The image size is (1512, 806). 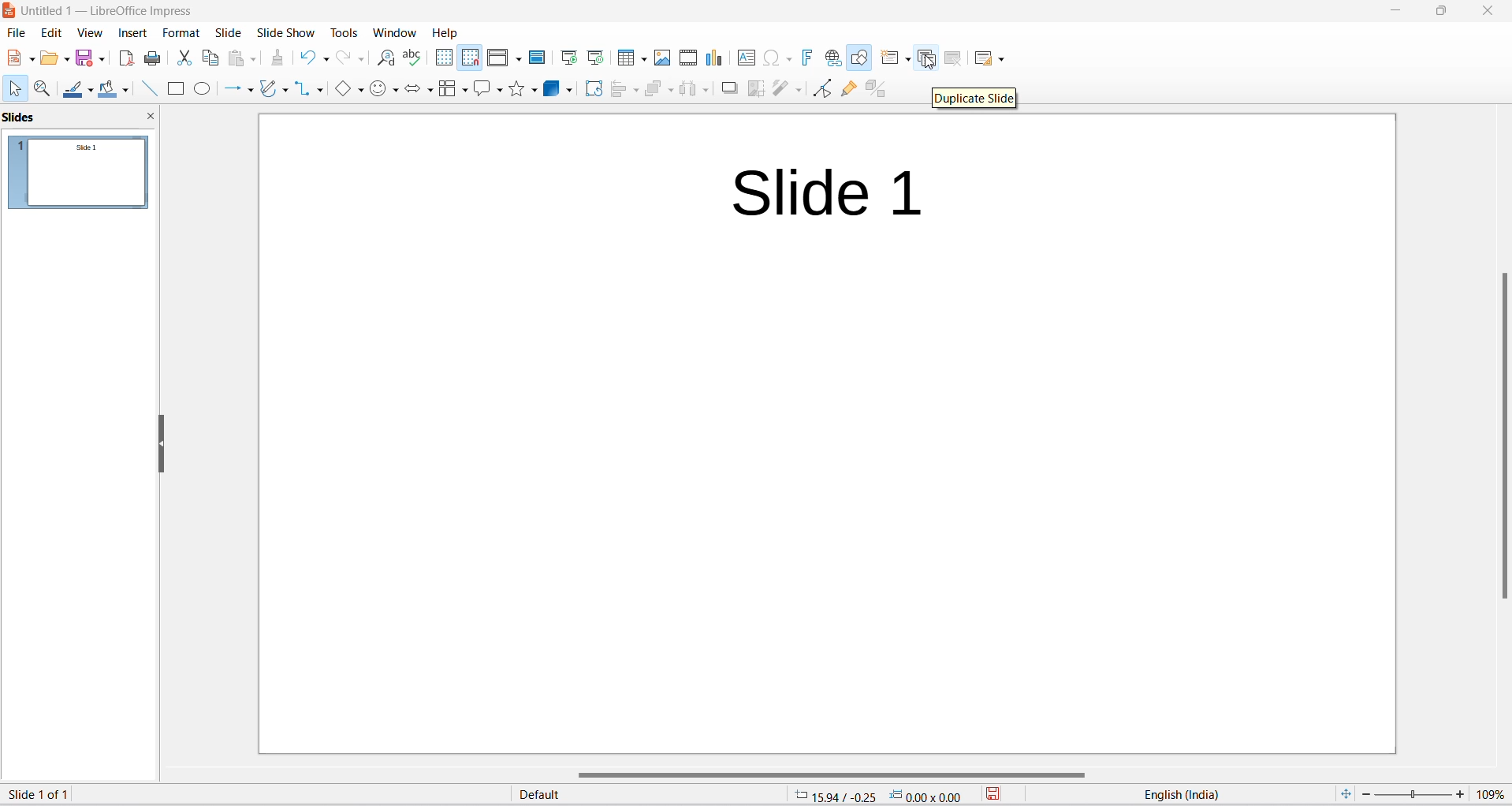 What do you see at coordinates (225, 32) in the screenshot?
I see `slide` at bounding box center [225, 32].